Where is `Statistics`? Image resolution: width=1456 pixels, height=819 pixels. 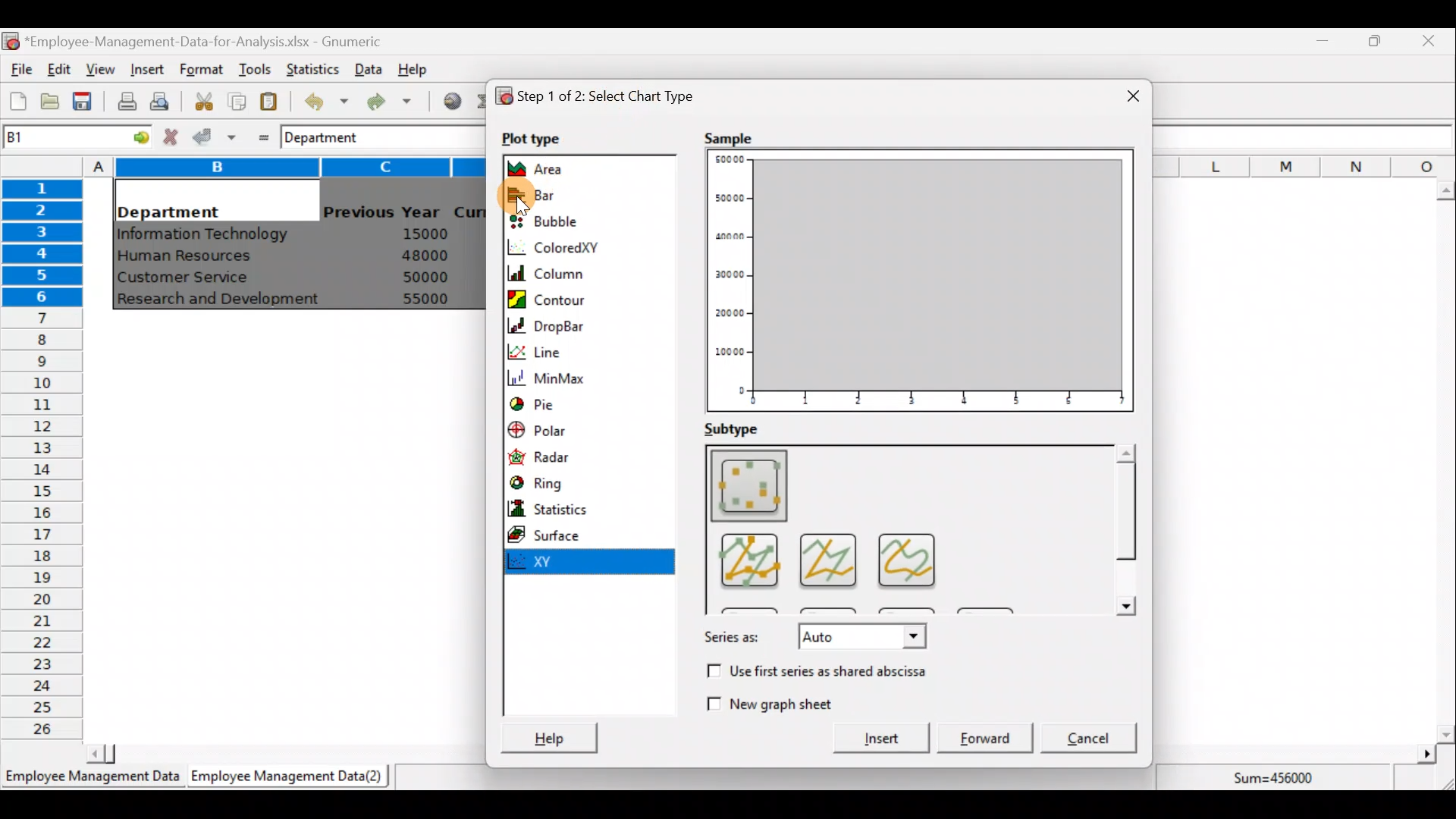
Statistics is located at coordinates (309, 67).